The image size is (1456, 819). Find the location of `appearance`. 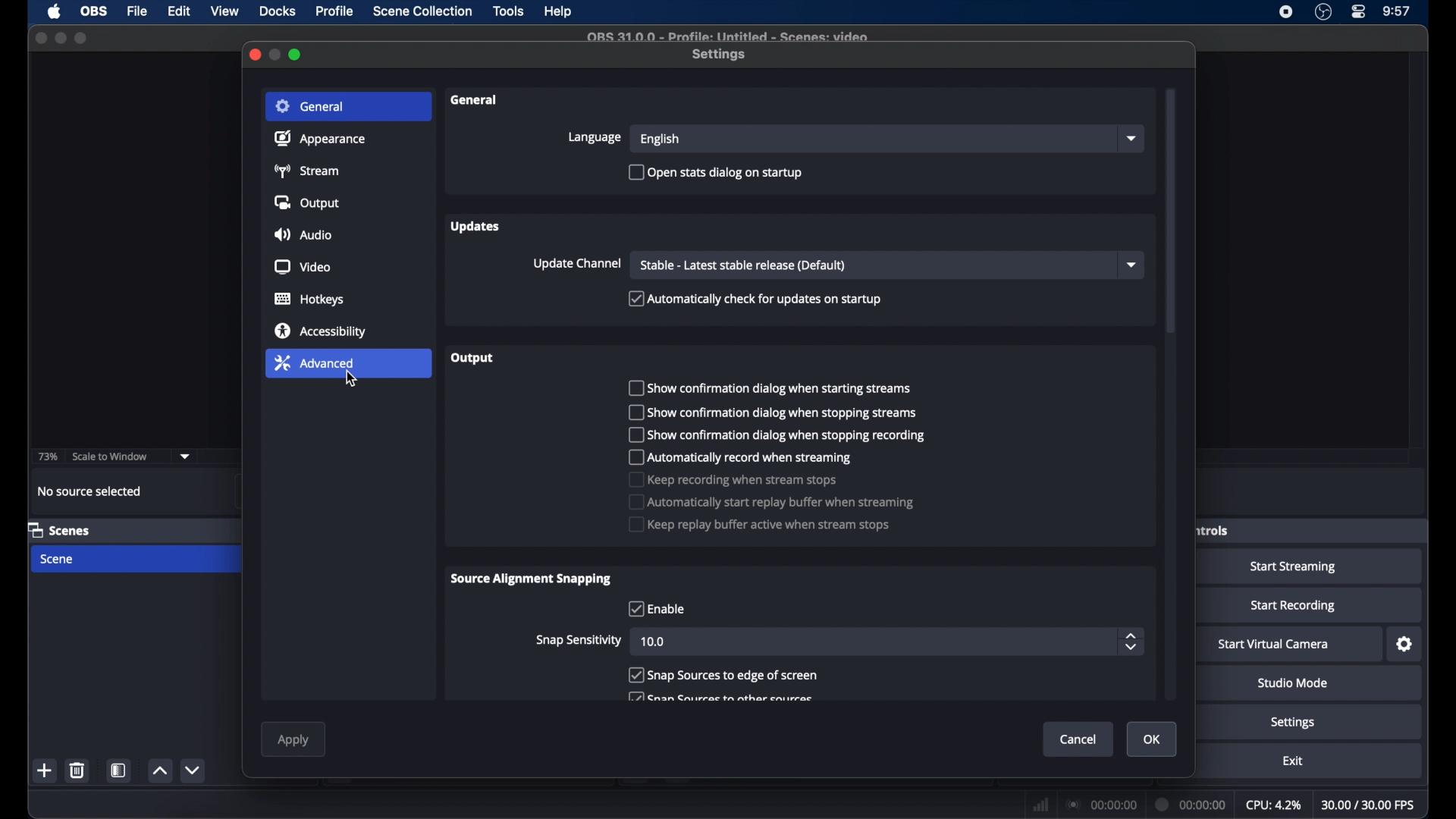

appearance is located at coordinates (320, 138).